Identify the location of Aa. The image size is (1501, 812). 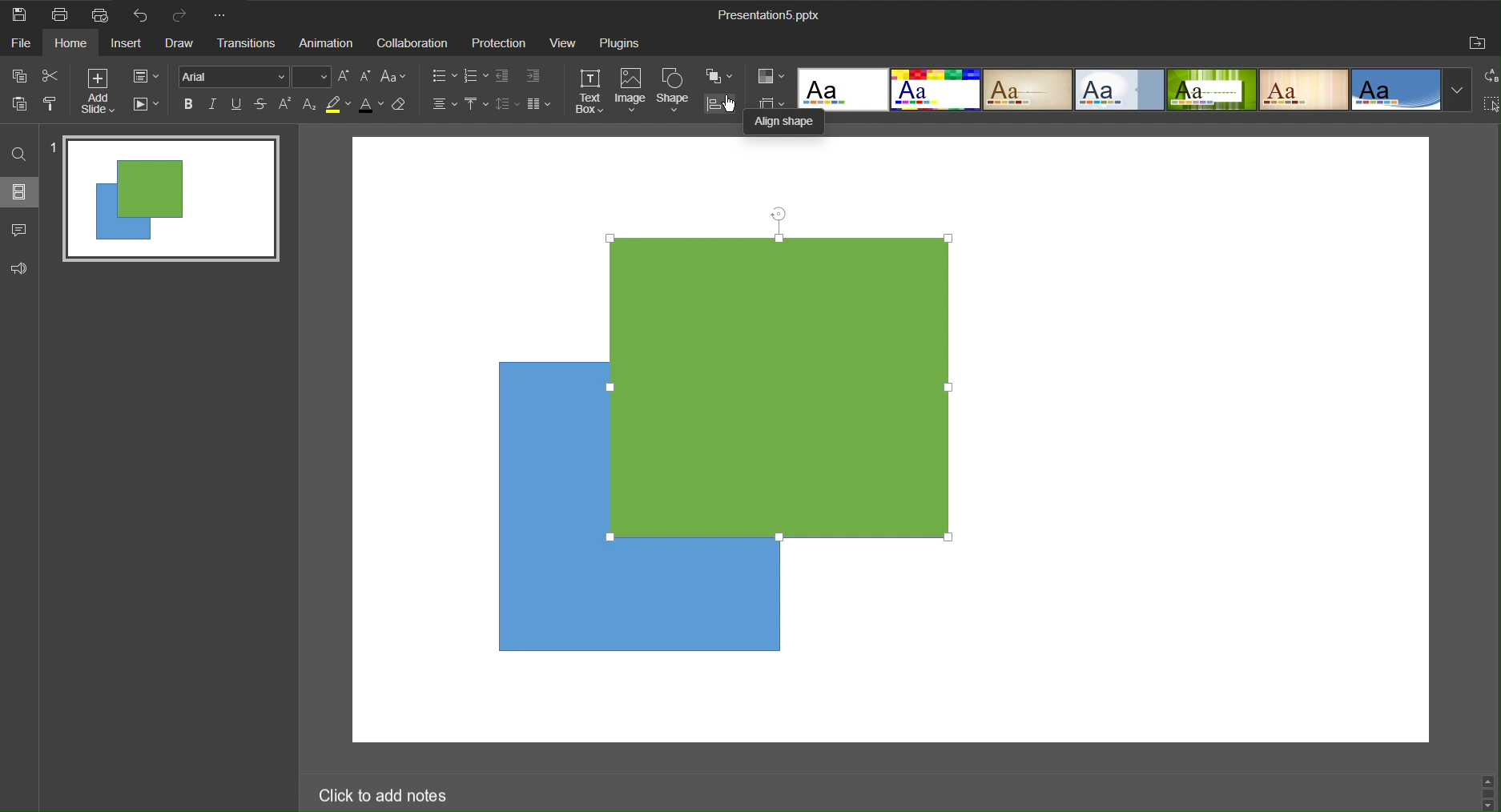
(814, 85).